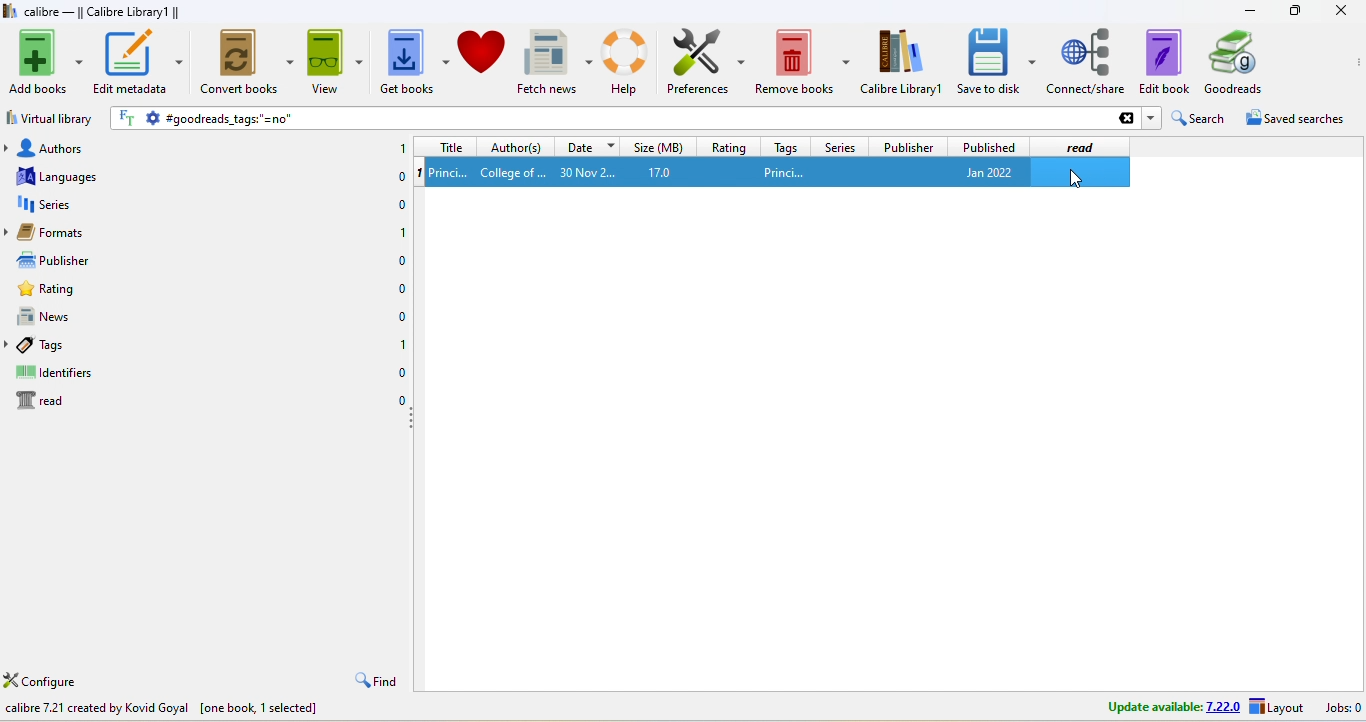  Describe the element at coordinates (802, 61) in the screenshot. I see `remove books` at that location.